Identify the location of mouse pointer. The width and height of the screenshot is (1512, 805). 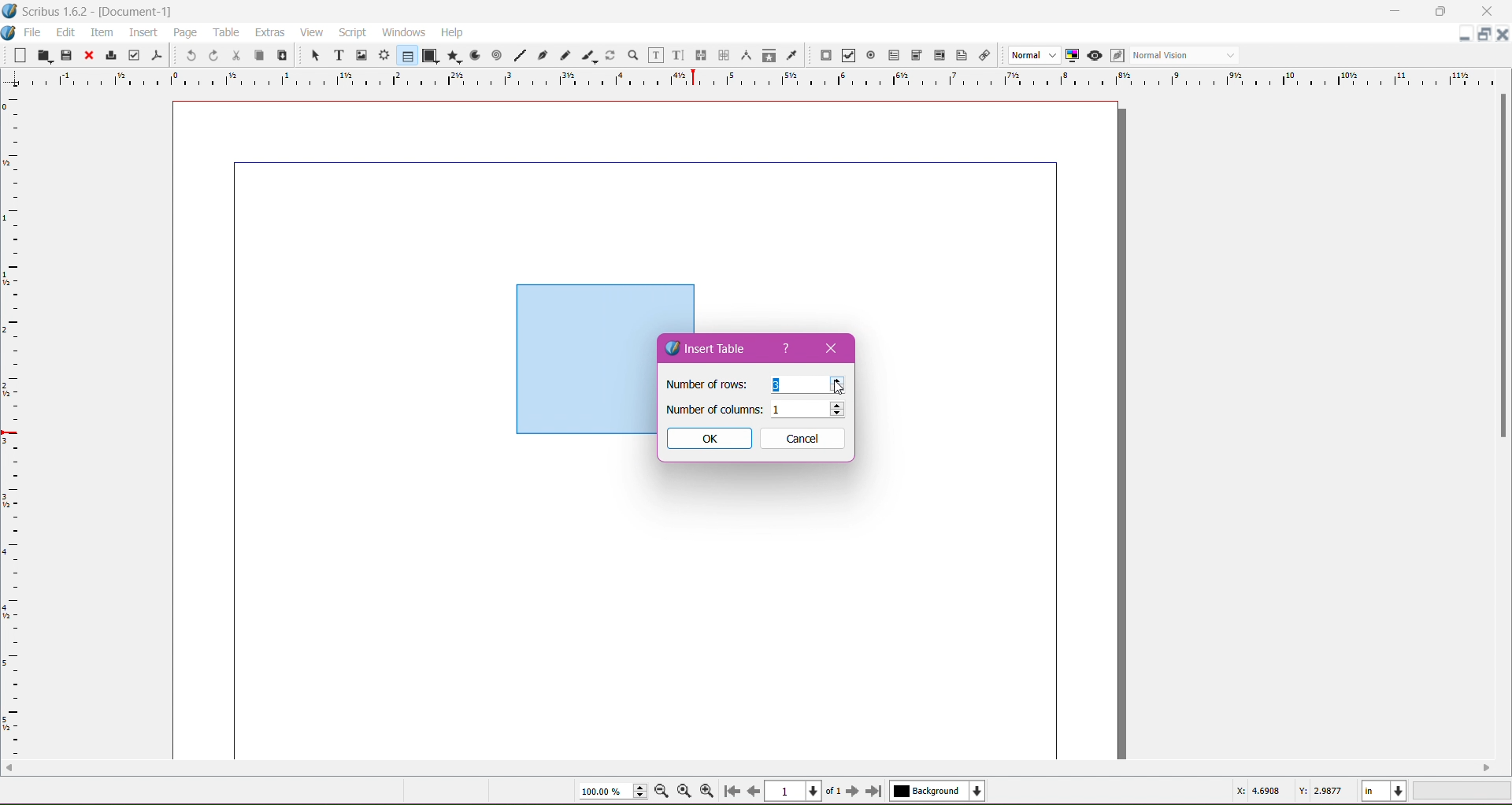
(839, 387).